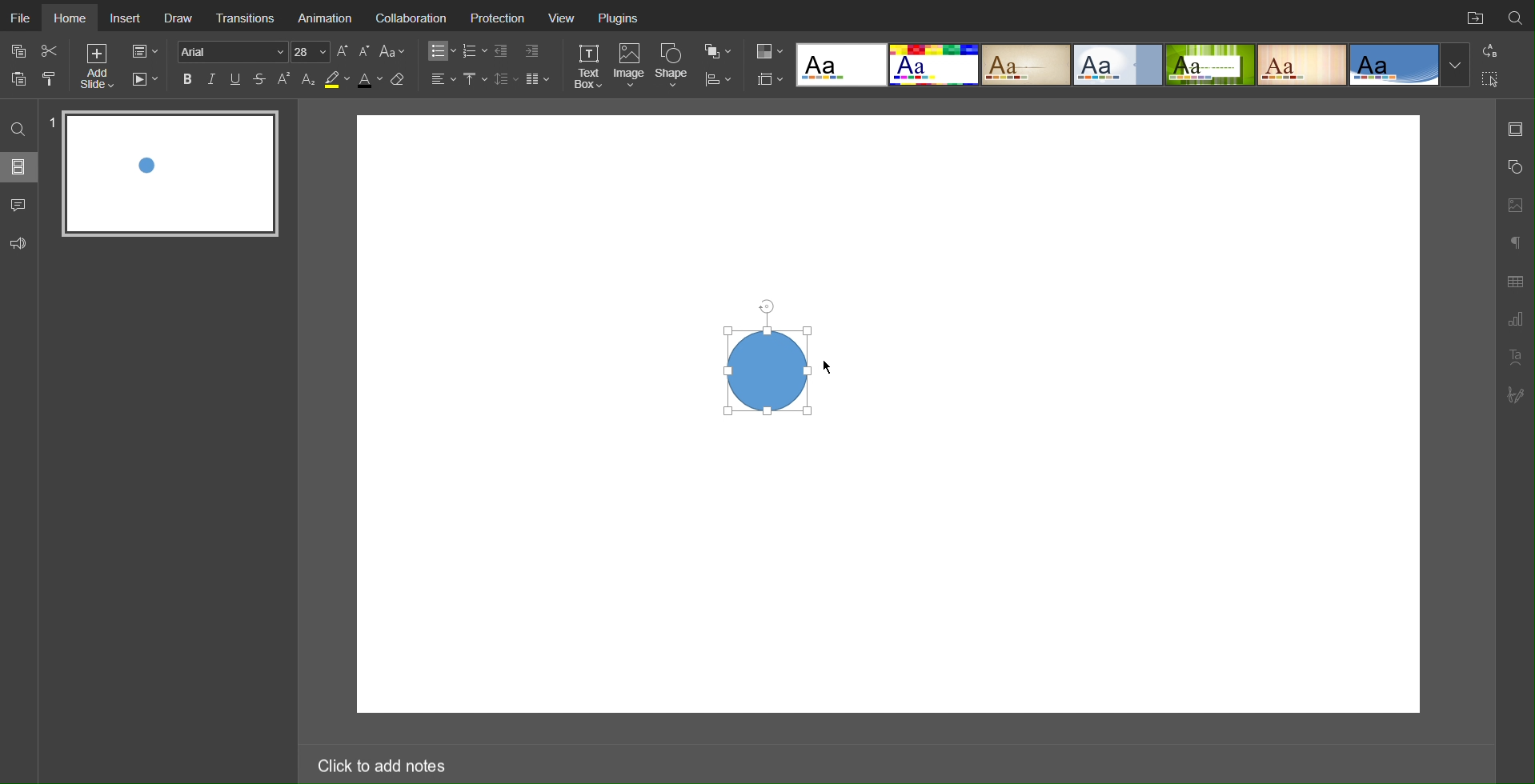 Image resolution: width=1535 pixels, height=784 pixels. I want to click on Add Slide, so click(96, 69).